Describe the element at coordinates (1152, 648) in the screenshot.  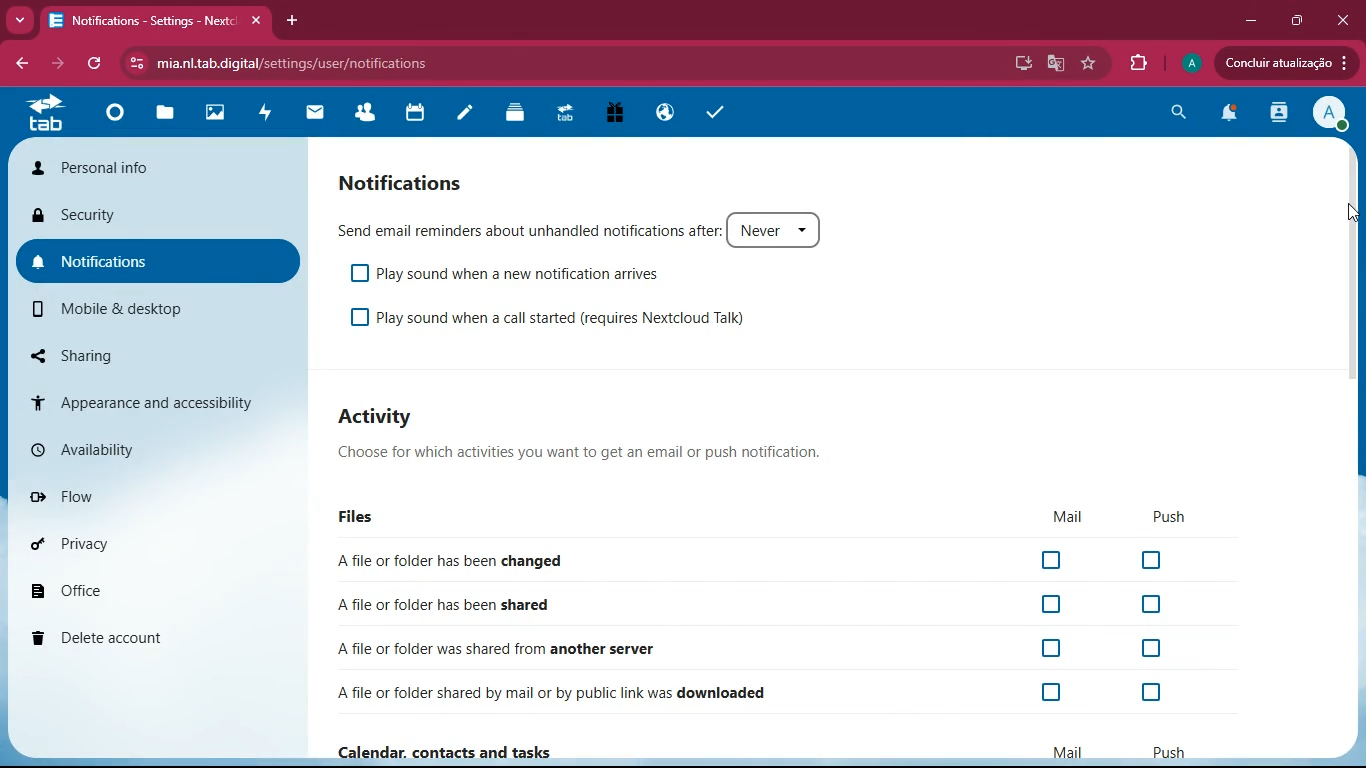
I see `off` at that location.